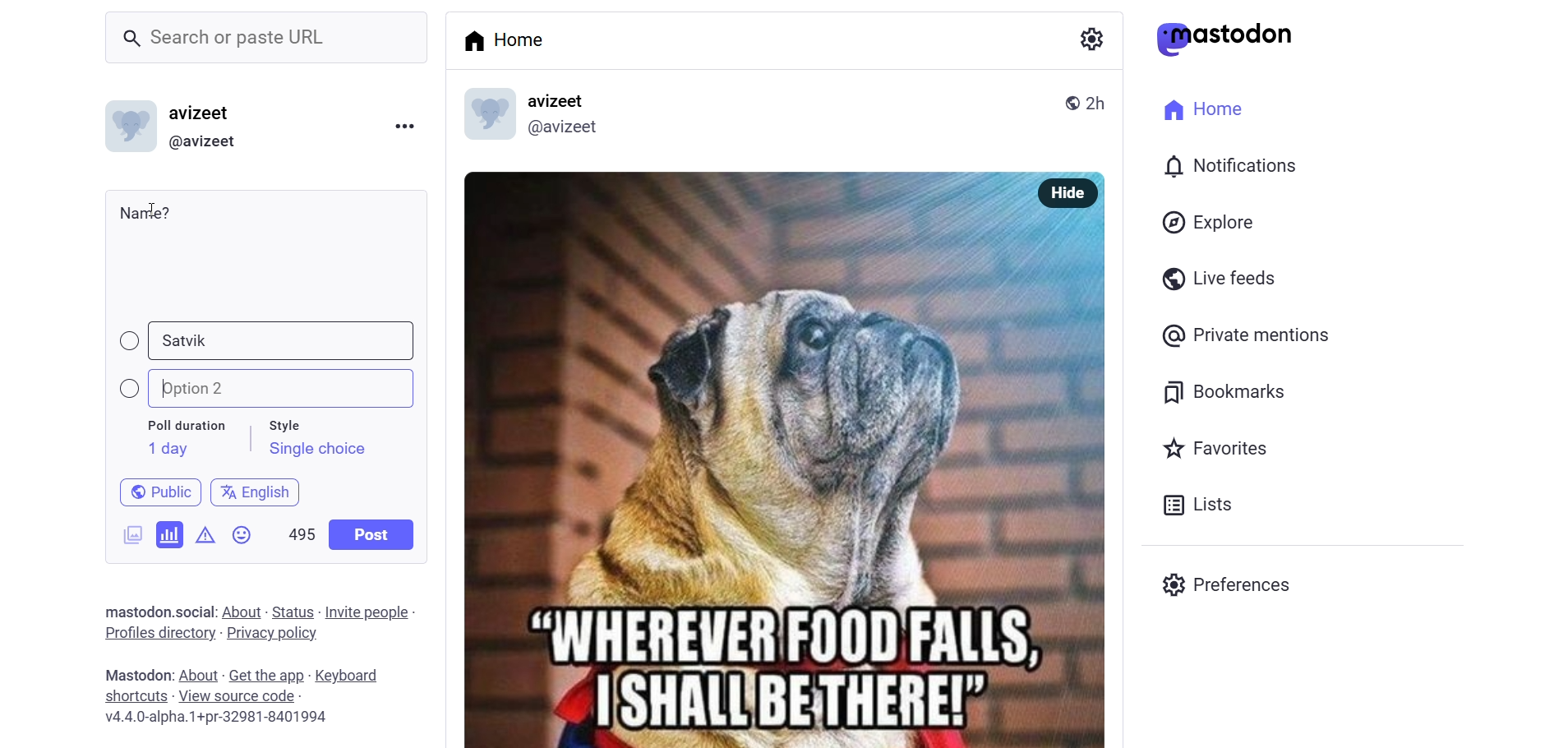 This screenshot has width=1568, height=748. Describe the element at coordinates (239, 696) in the screenshot. I see `source code` at that location.